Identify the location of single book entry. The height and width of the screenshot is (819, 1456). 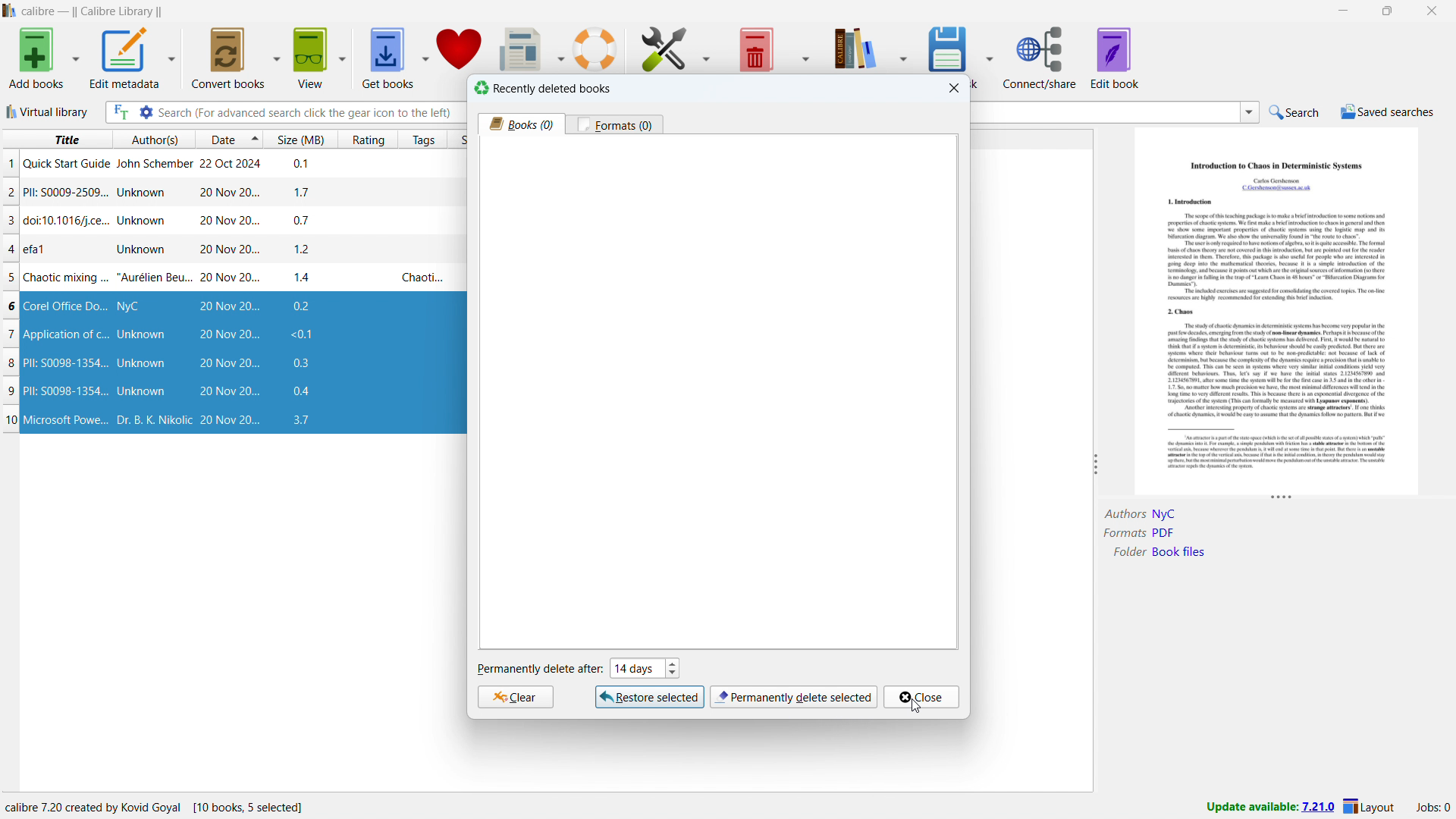
(224, 278).